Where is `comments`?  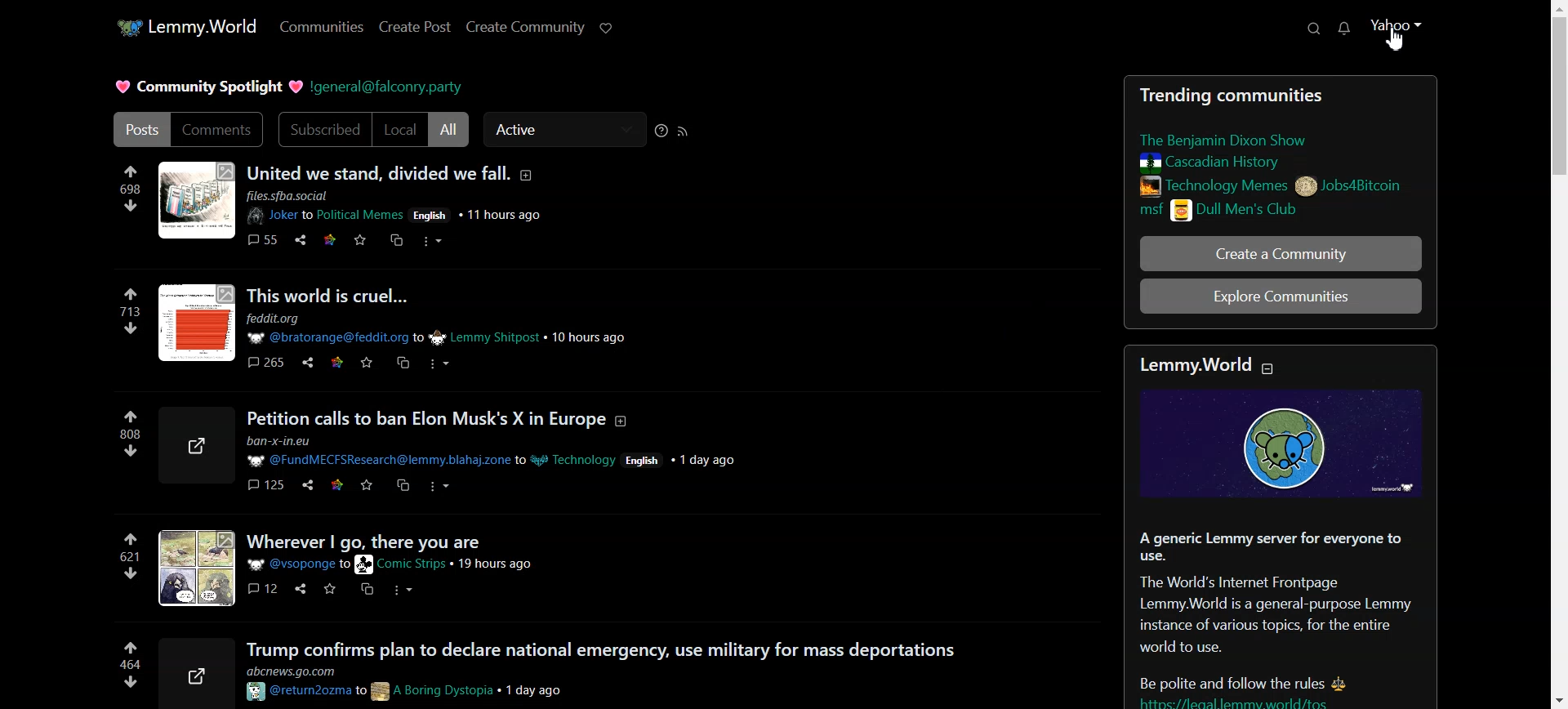
comments is located at coordinates (261, 488).